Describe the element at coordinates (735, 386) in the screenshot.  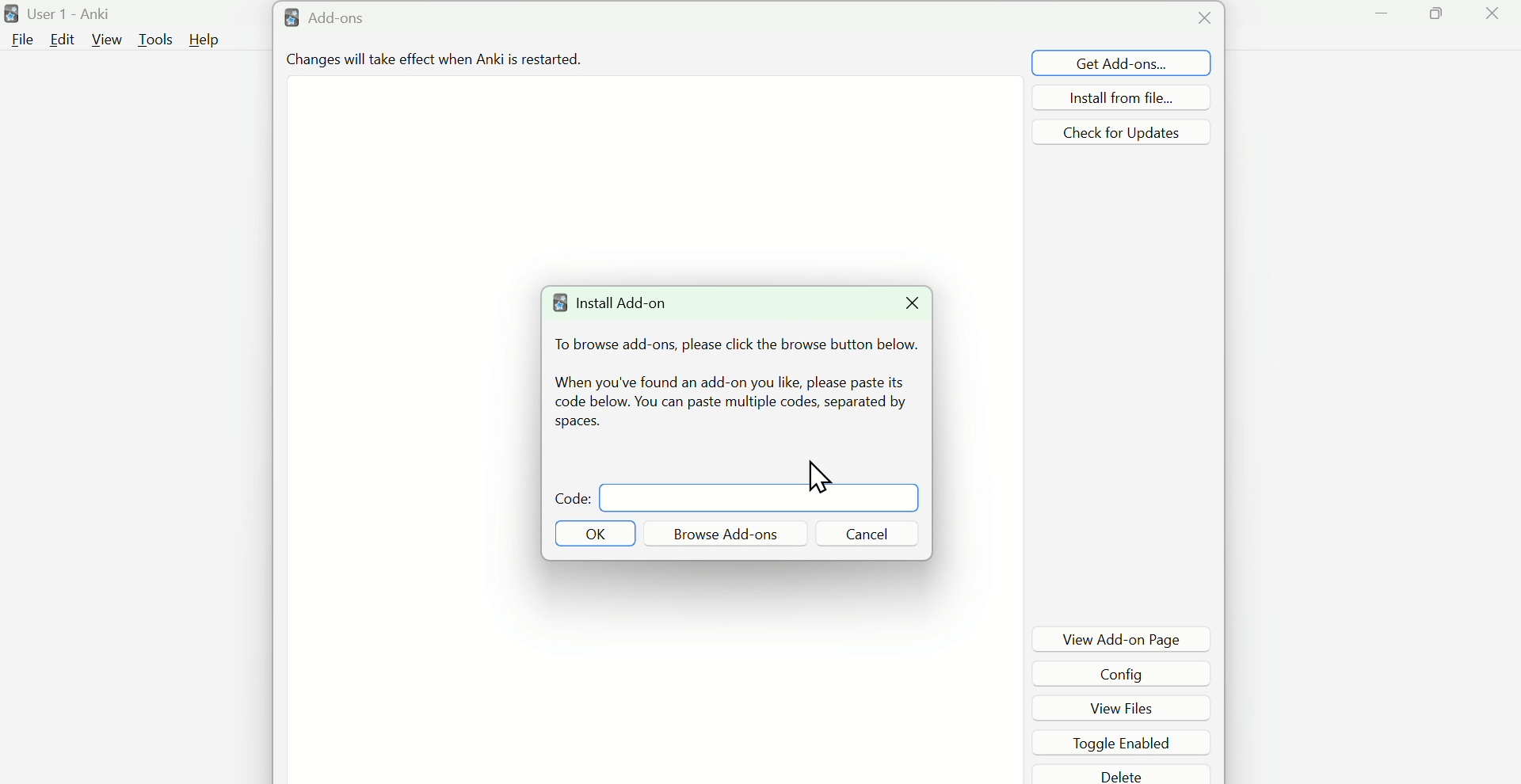
I see `To browse add-ons, please click the browse button below.
When you've found an add-on you like, please paste its
code below. You can paste multiple codes, separated by
spaces.` at that location.